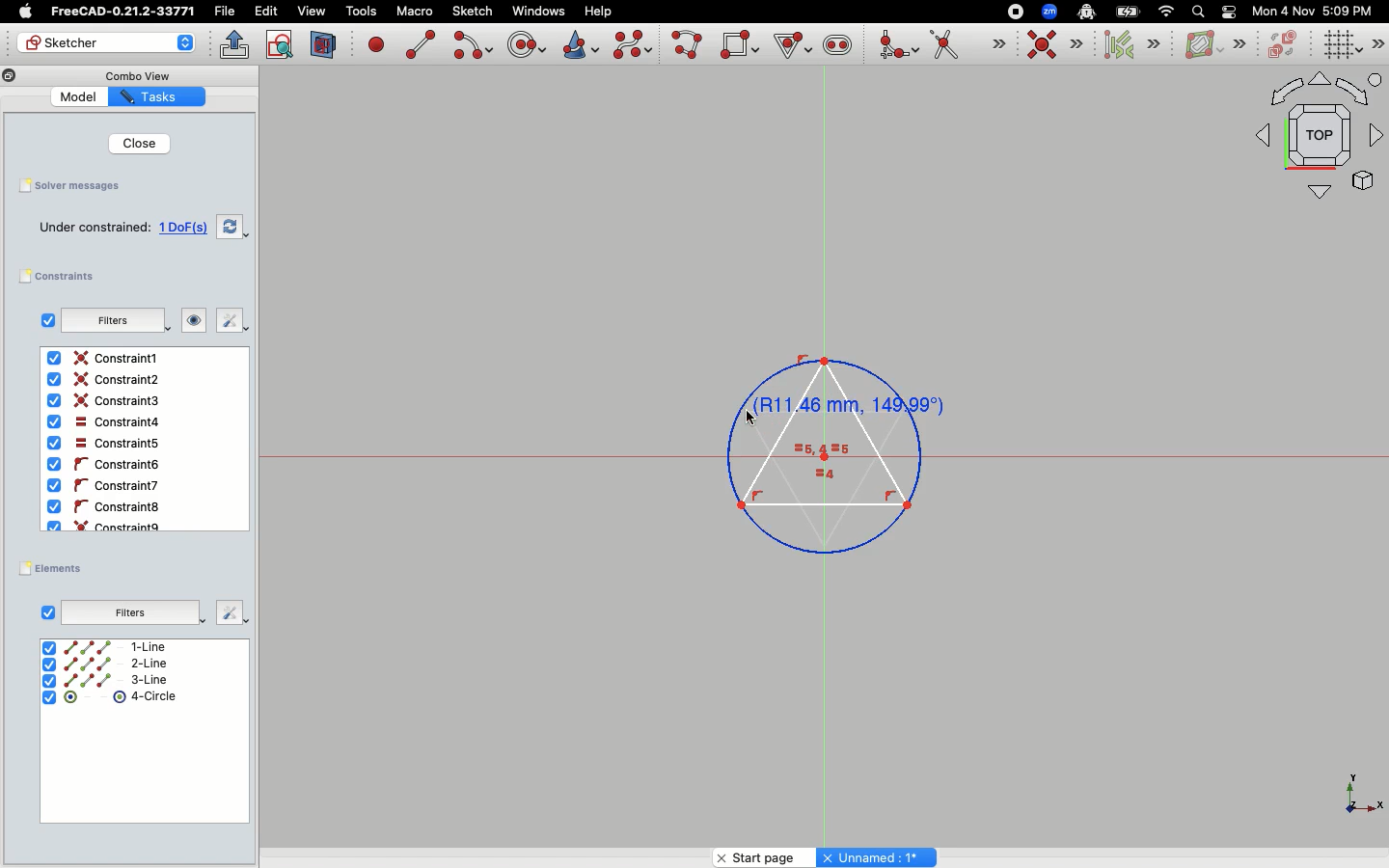 The width and height of the screenshot is (1389, 868). I want to click on Create b-spline, so click(633, 44).